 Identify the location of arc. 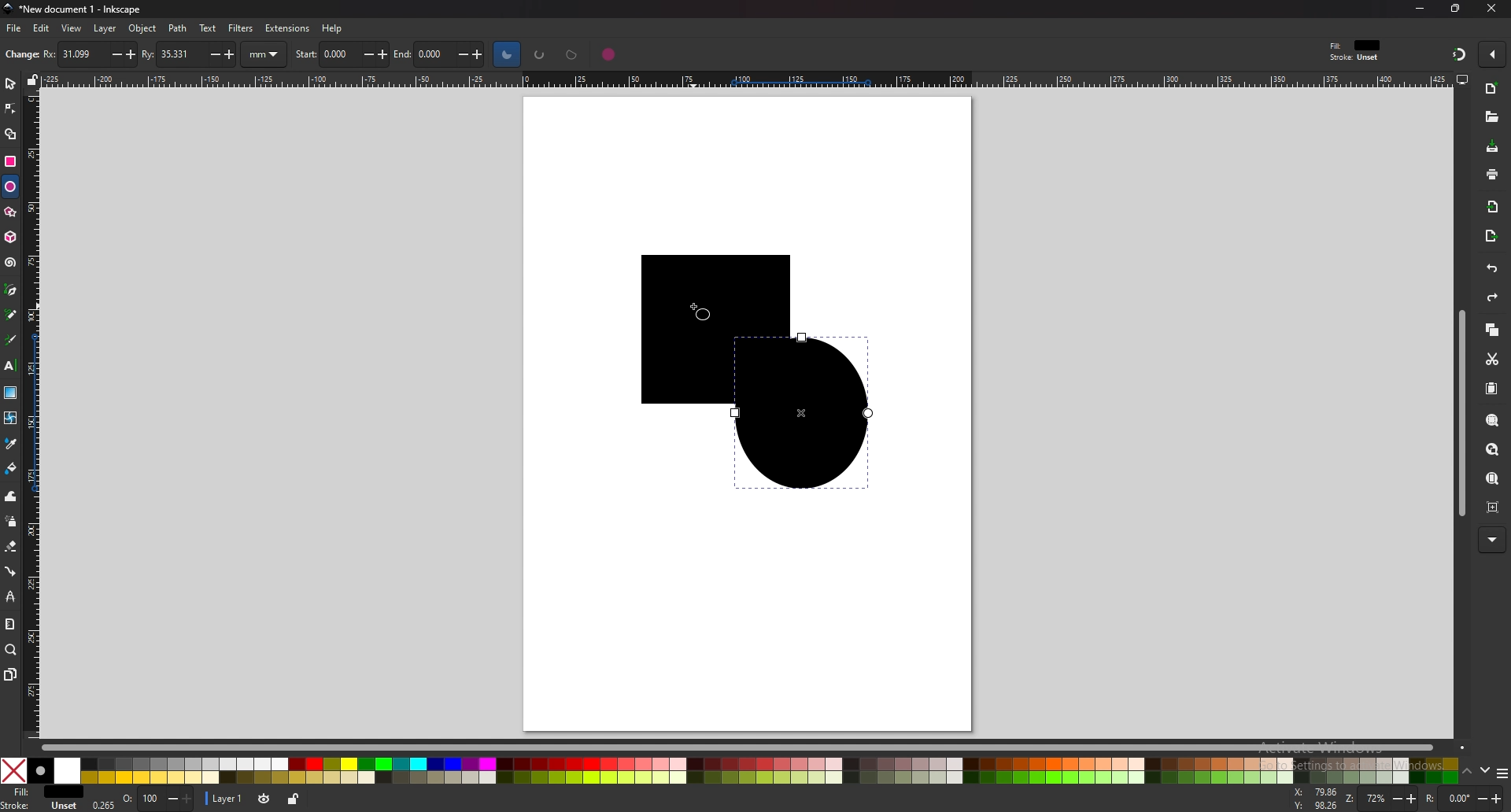
(540, 54).